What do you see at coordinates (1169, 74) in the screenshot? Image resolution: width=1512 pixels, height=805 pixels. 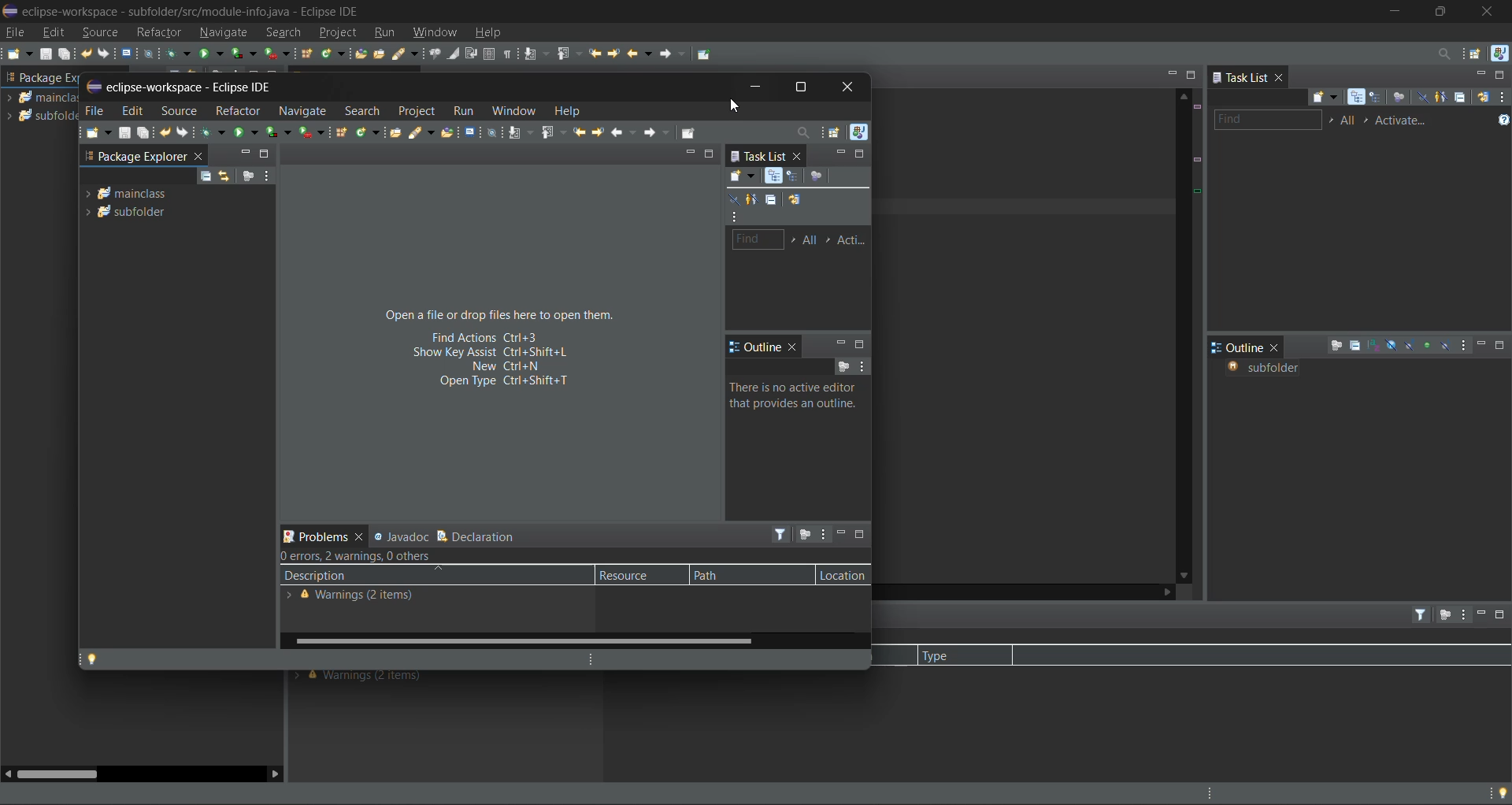 I see `minimize` at bounding box center [1169, 74].